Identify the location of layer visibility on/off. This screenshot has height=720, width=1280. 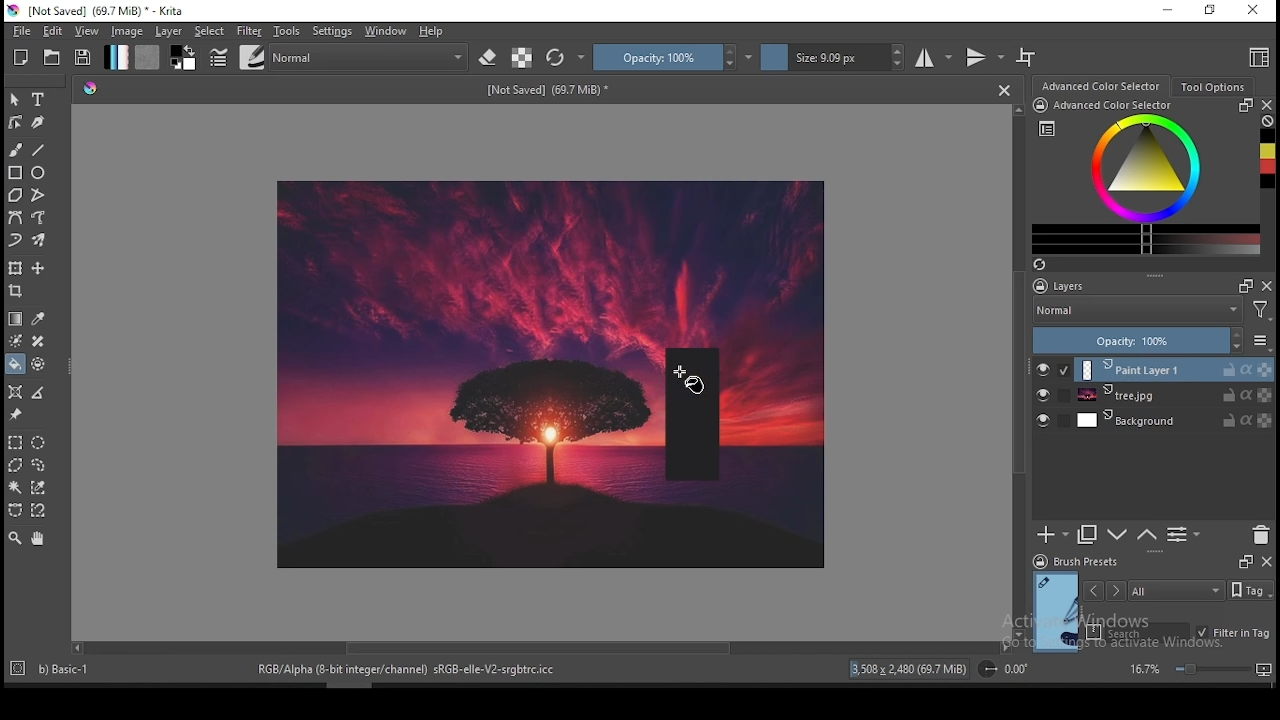
(1044, 369).